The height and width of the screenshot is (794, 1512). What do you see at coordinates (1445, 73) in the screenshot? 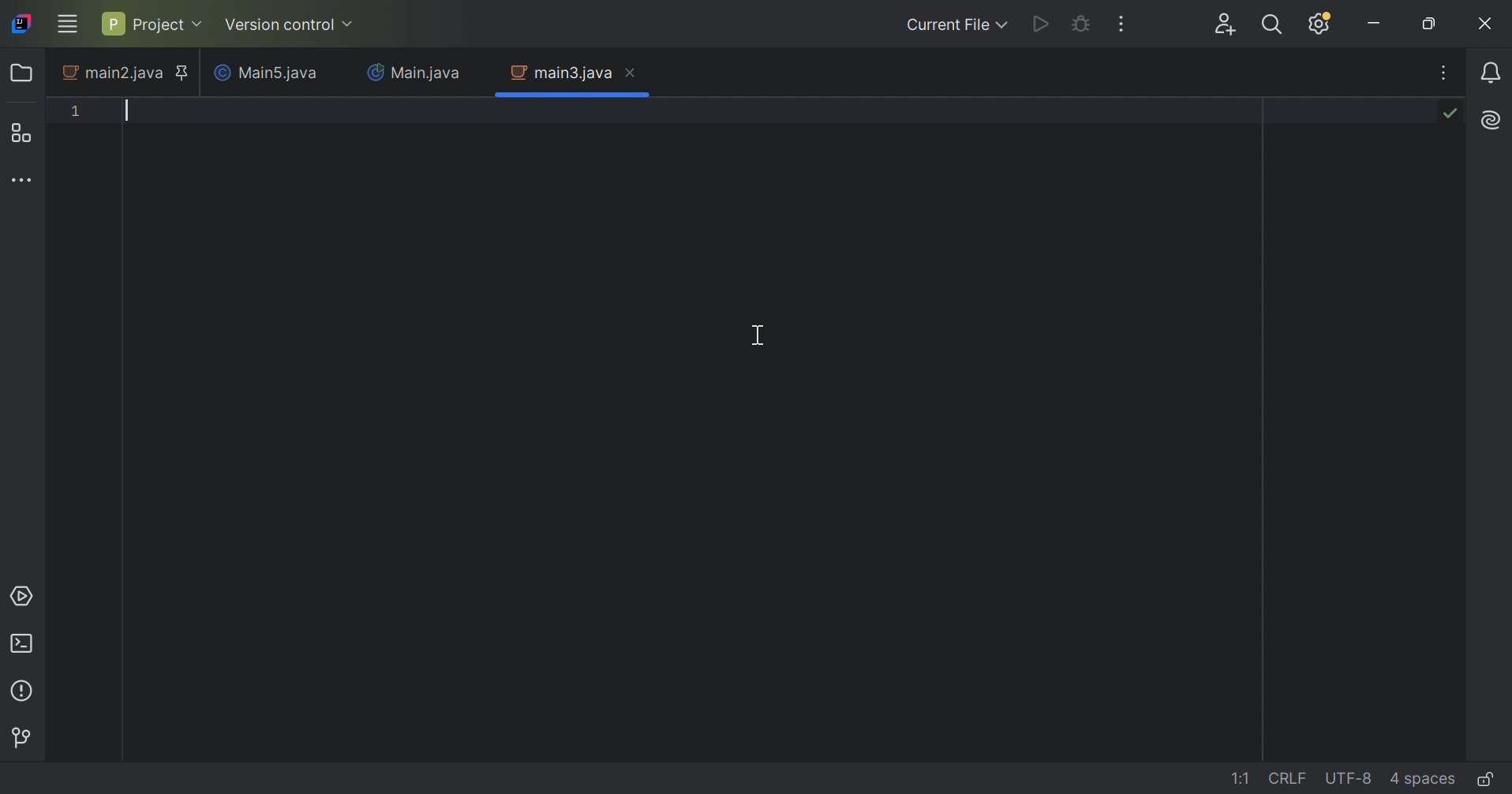
I see `Recent files, tab actions, and more` at bounding box center [1445, 73].